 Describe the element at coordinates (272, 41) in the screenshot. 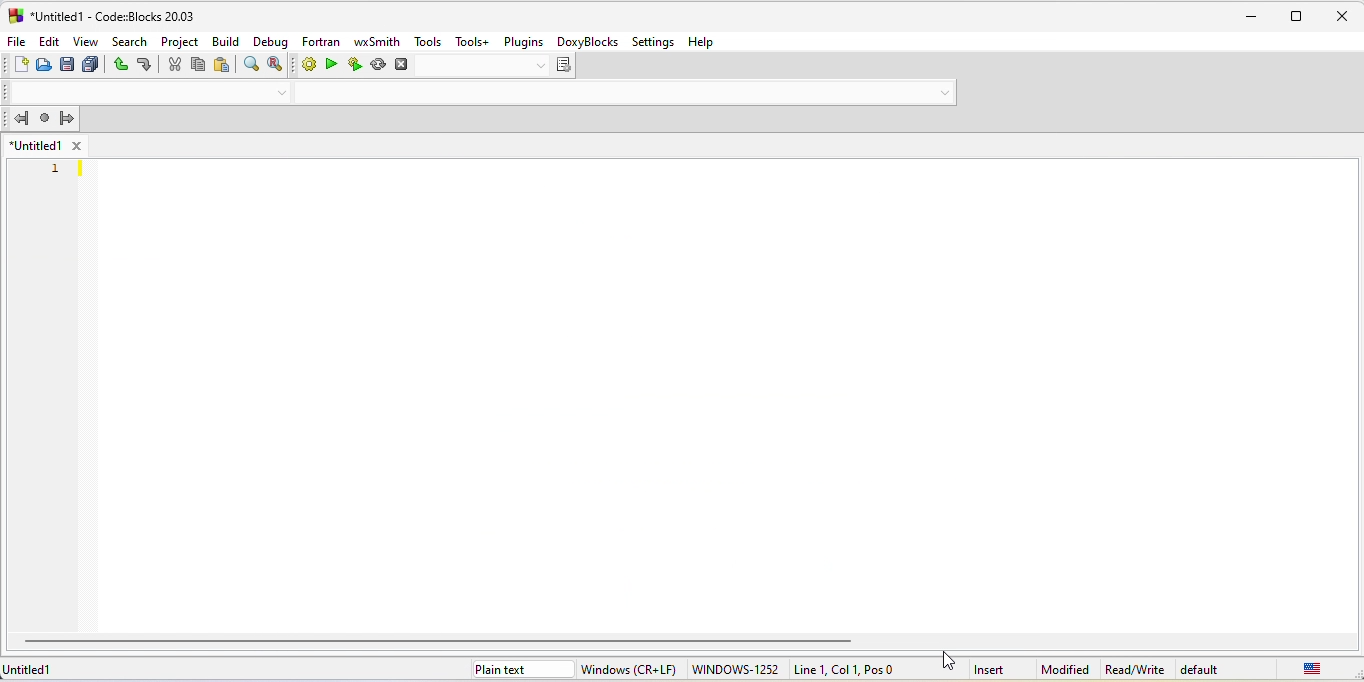

I see `debug` at that location.